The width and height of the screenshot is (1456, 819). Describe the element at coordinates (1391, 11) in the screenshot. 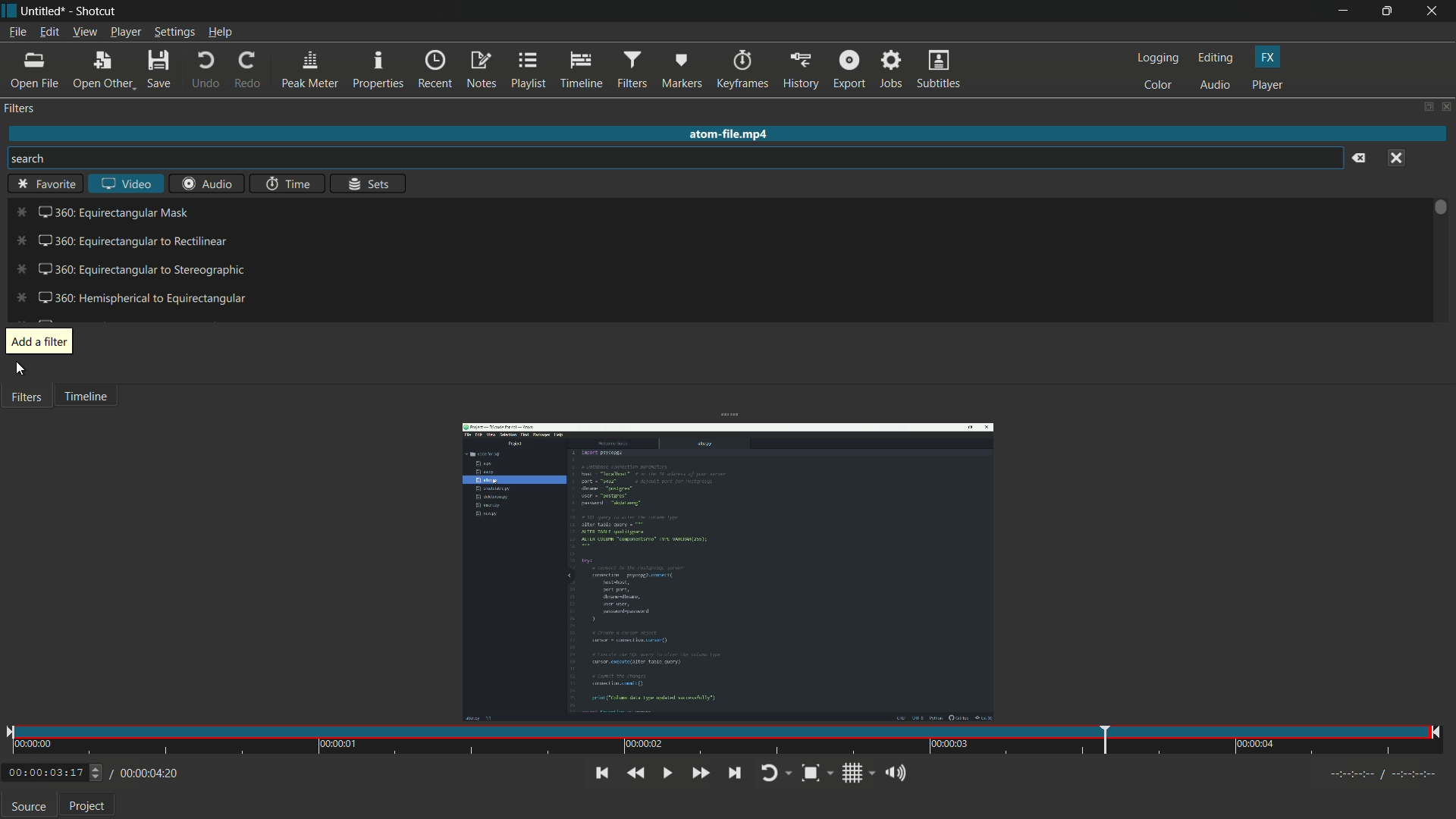

I see `maximize` at that location.